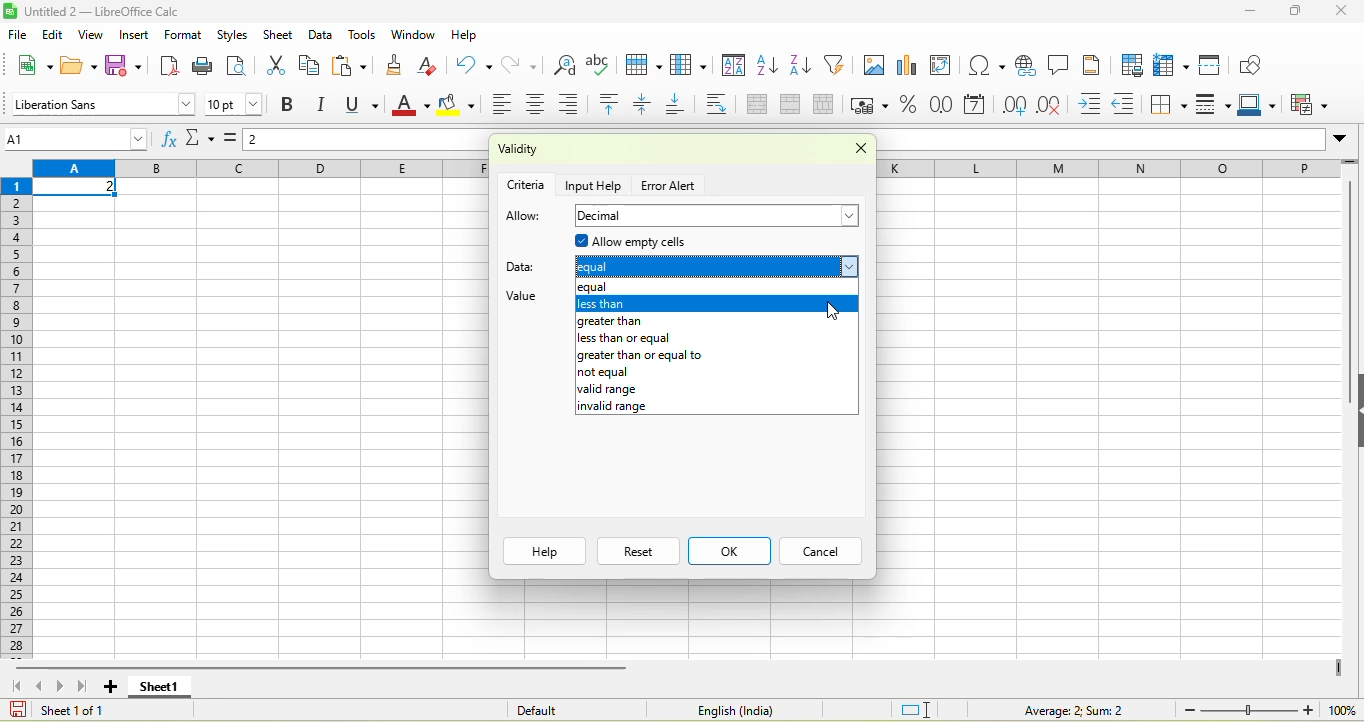 The image size is (1364, 722). I want to click on not equal, so click(713, 372).